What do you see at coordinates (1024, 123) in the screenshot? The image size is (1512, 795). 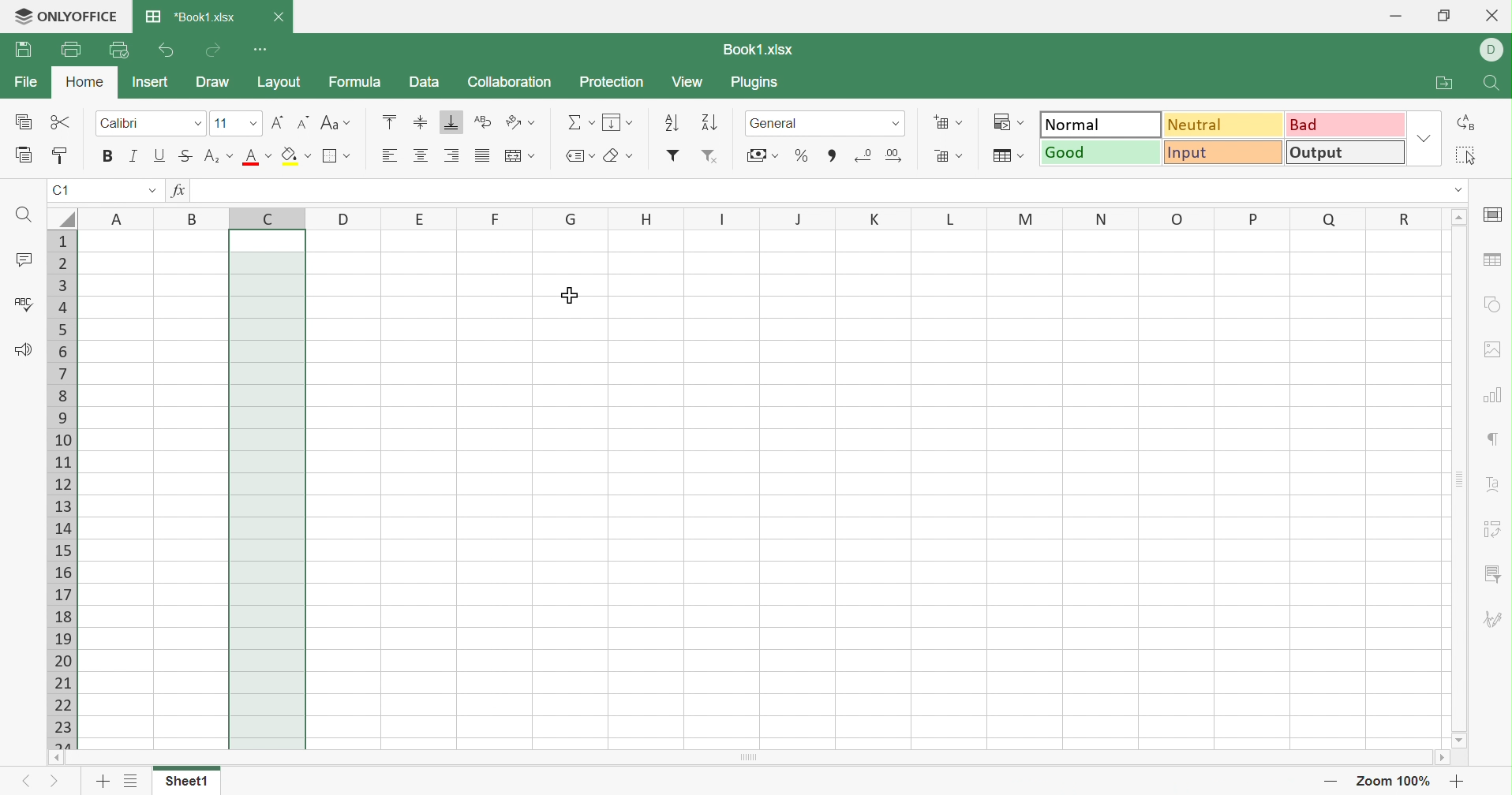 I see `Drop Down` at bounding box center [1024, 123].